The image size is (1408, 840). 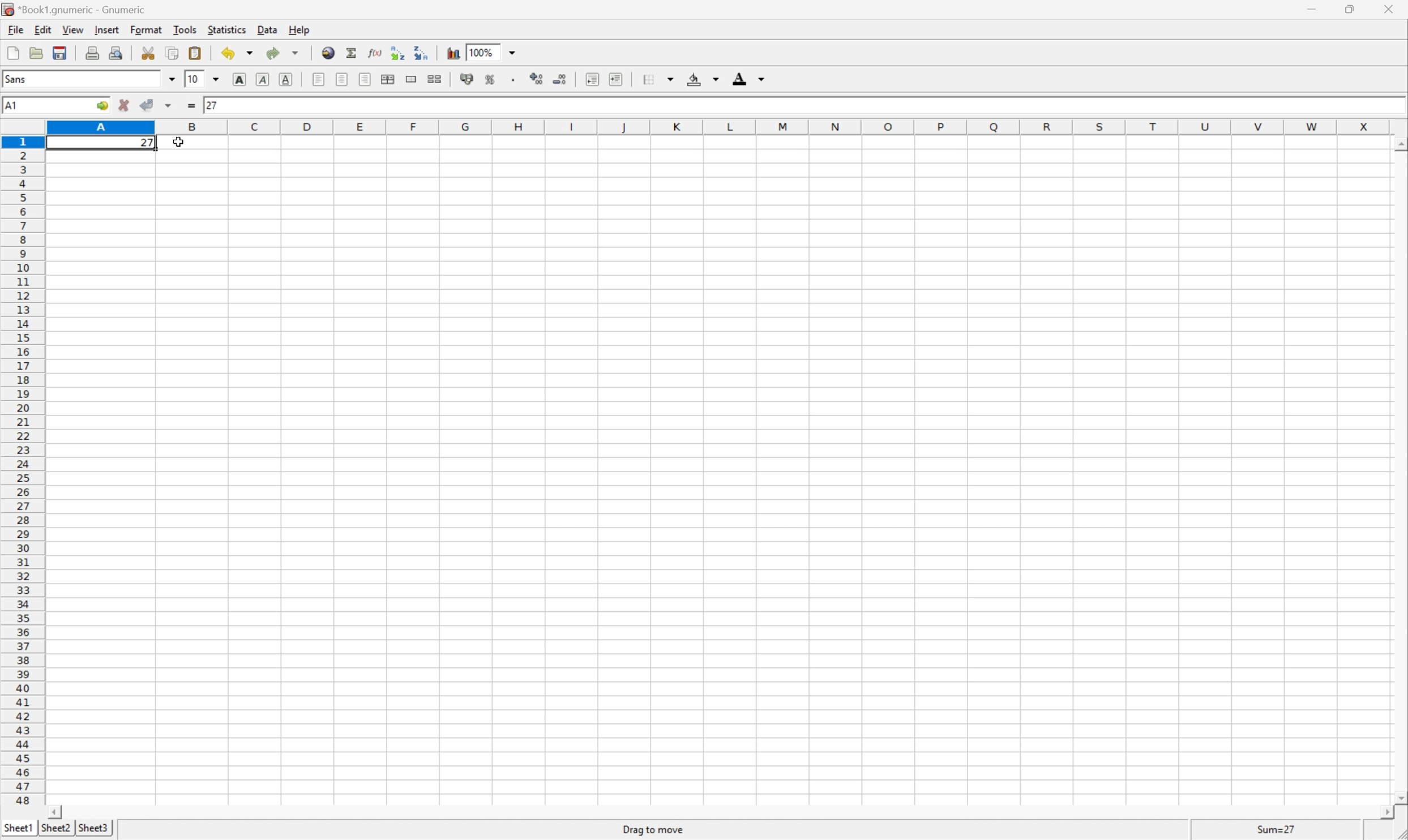 I want to click on Borders, so click(x=657, y=78).